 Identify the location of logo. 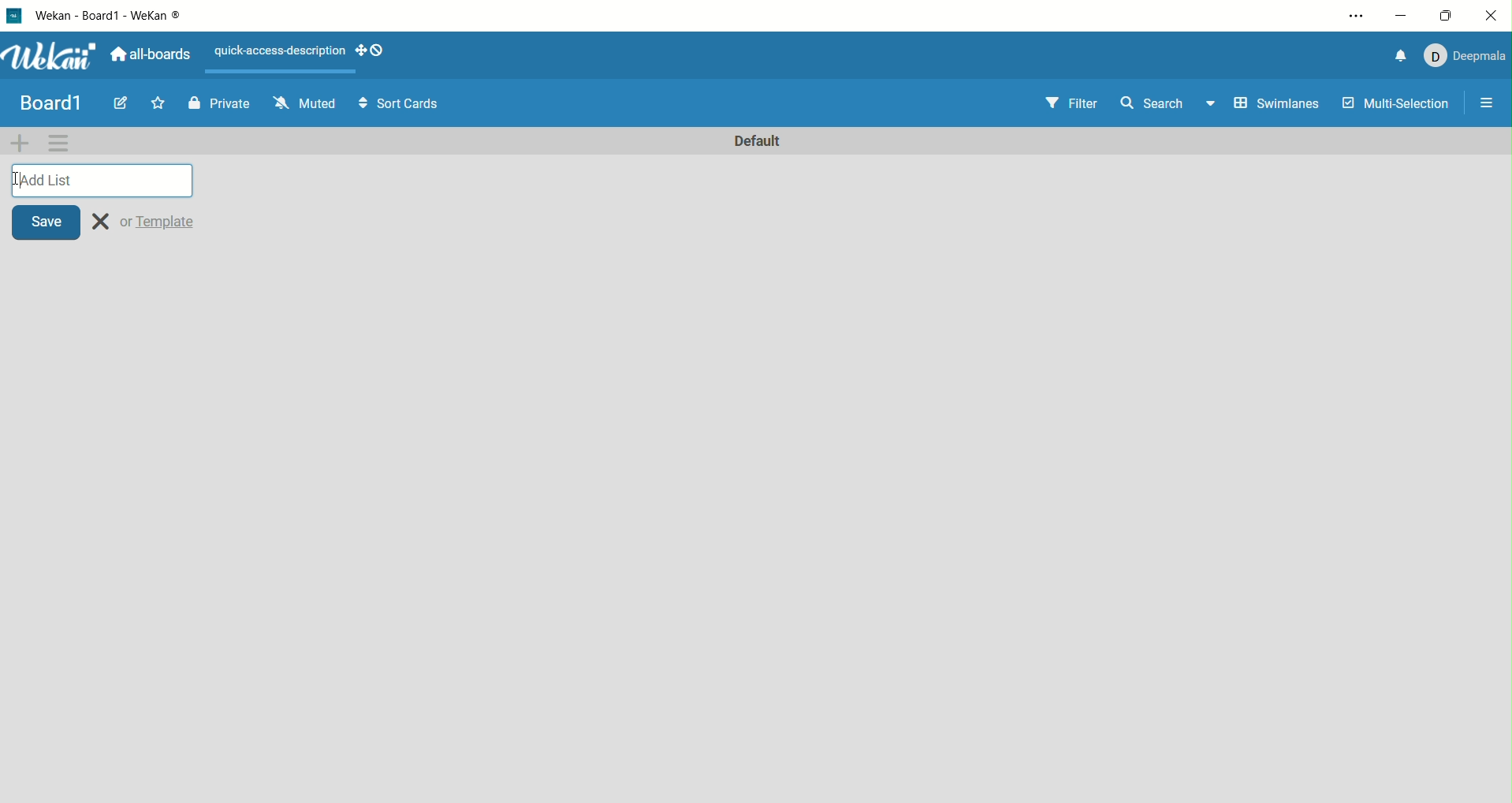
(12, 17).